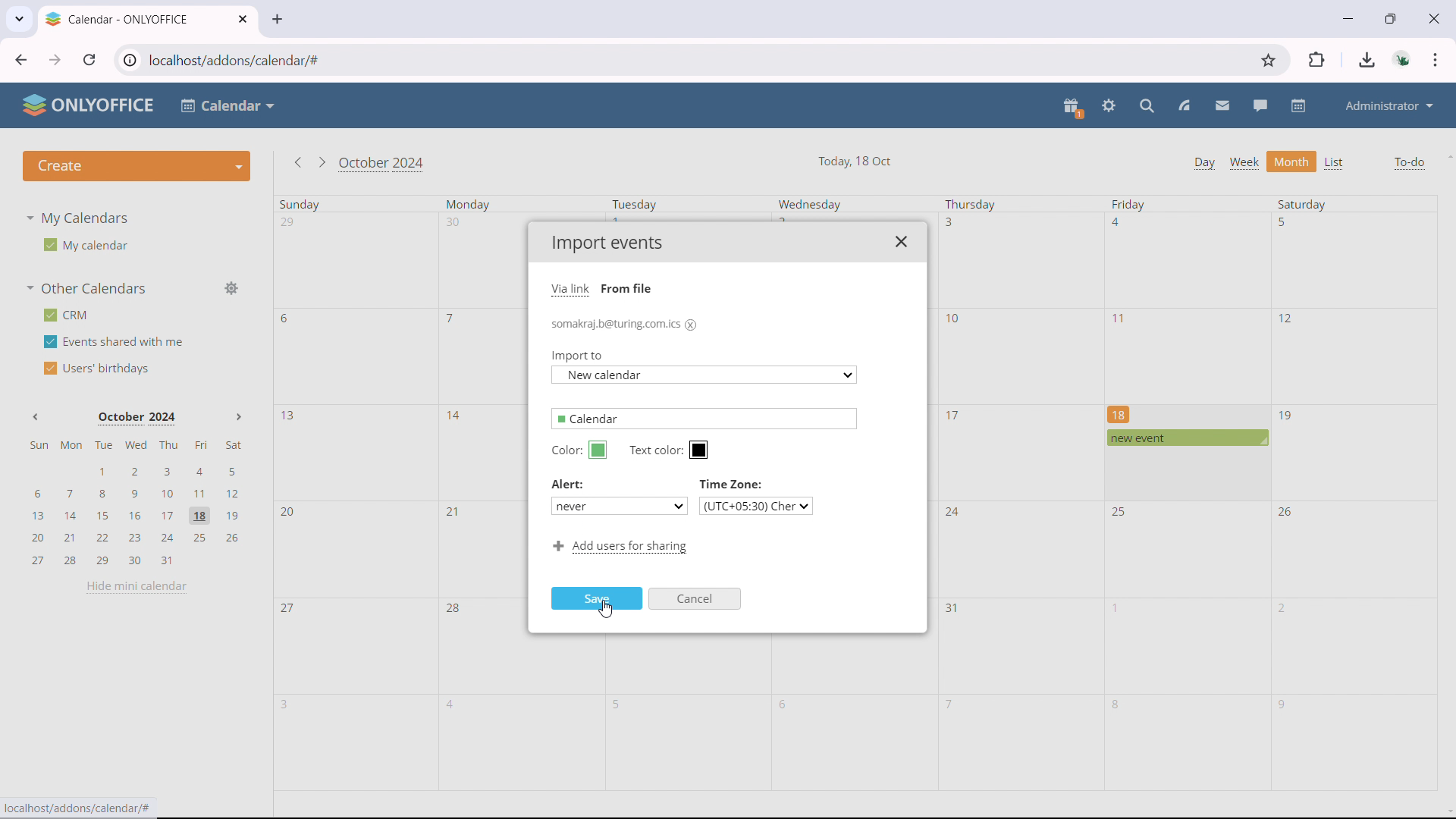 Image resolution: width=1456 pixels, height=819 pixels. What do you see at coordinates (454, 222) in the screenshot?
I see `30` at bounding box center [454, 222].